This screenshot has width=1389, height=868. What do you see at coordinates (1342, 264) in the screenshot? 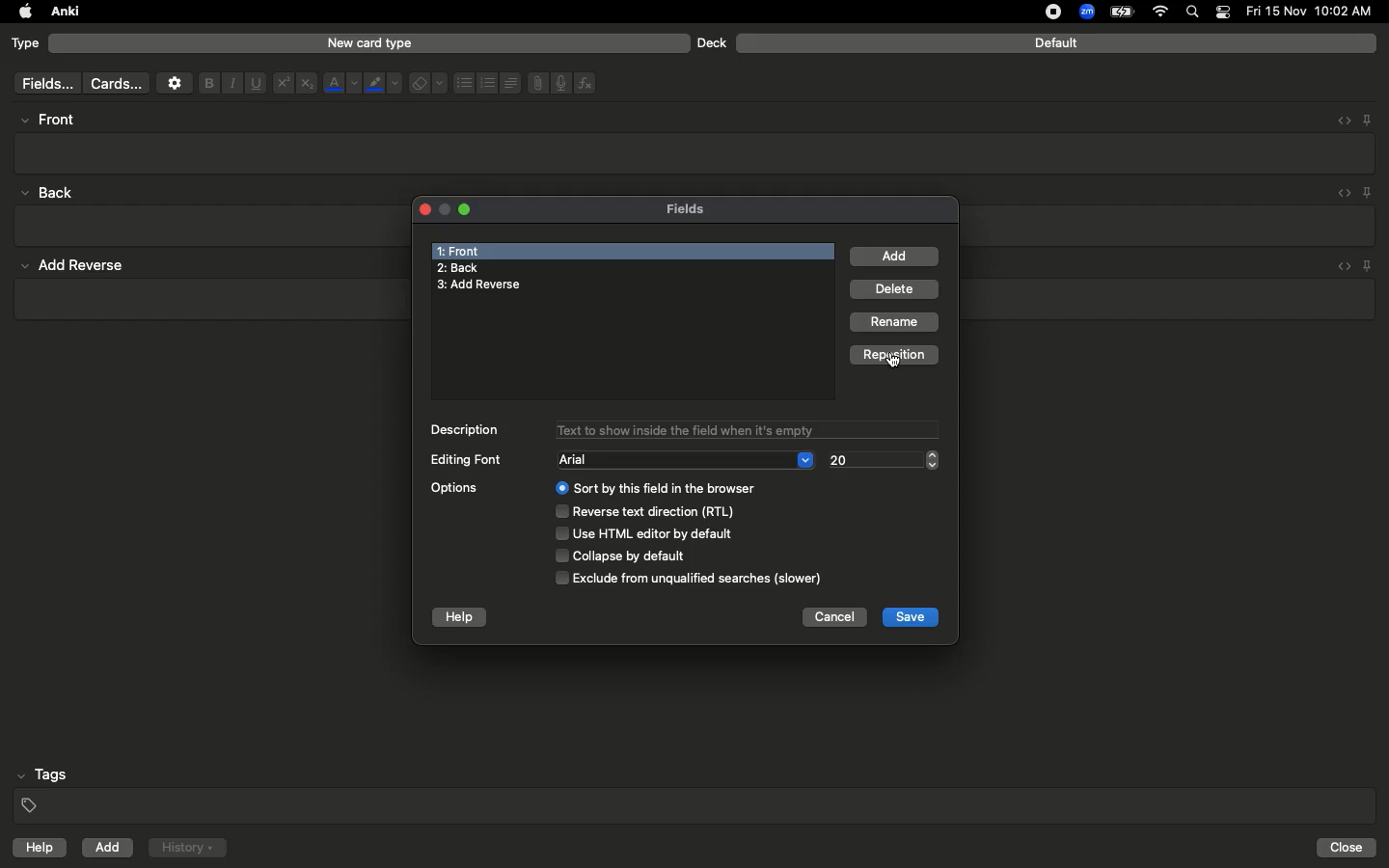
I see `embed` at bounding box center [1342, 264].